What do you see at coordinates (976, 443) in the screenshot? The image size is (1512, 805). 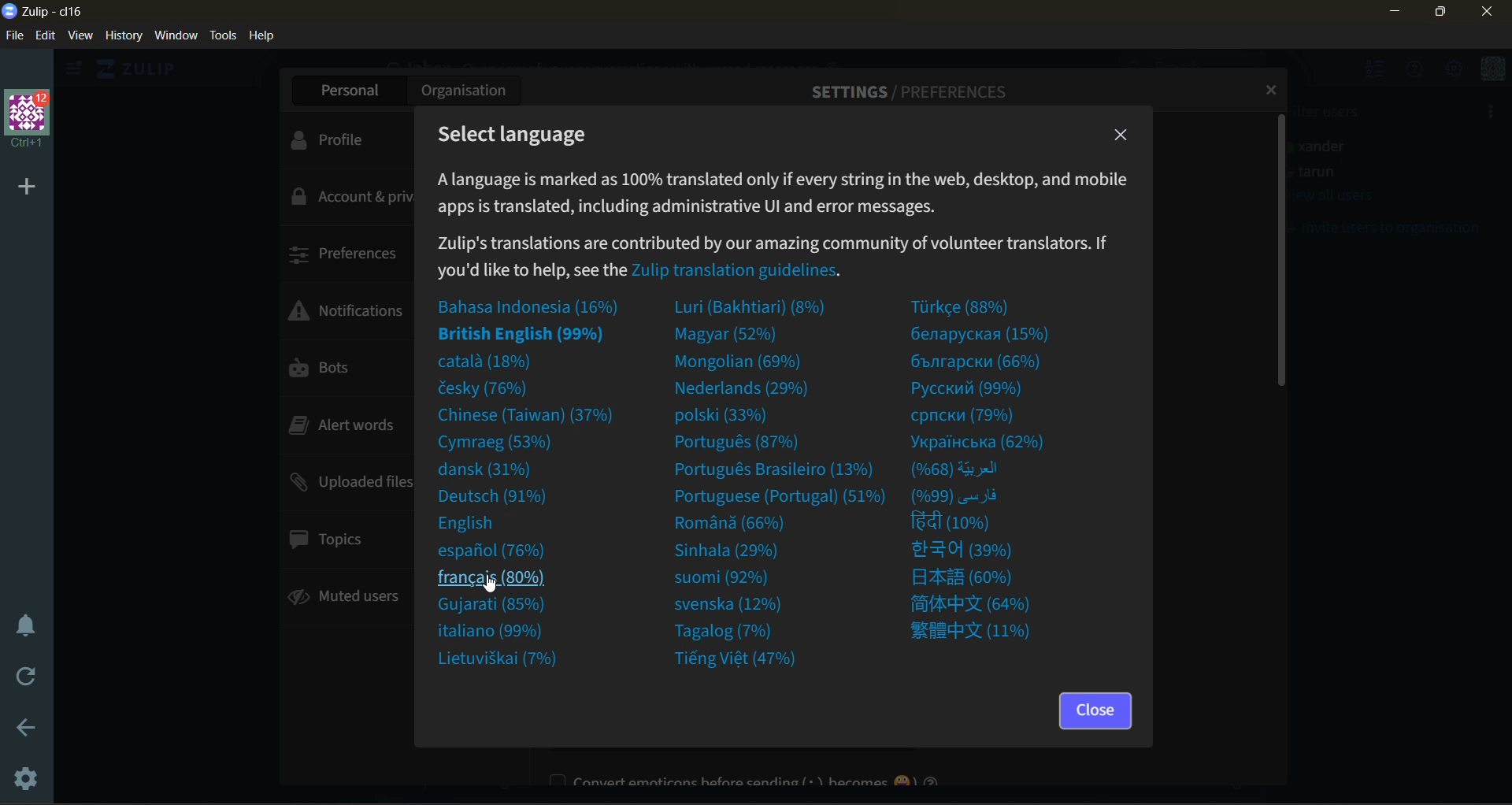 I see `foreign language` at bounding box center [976, 443].